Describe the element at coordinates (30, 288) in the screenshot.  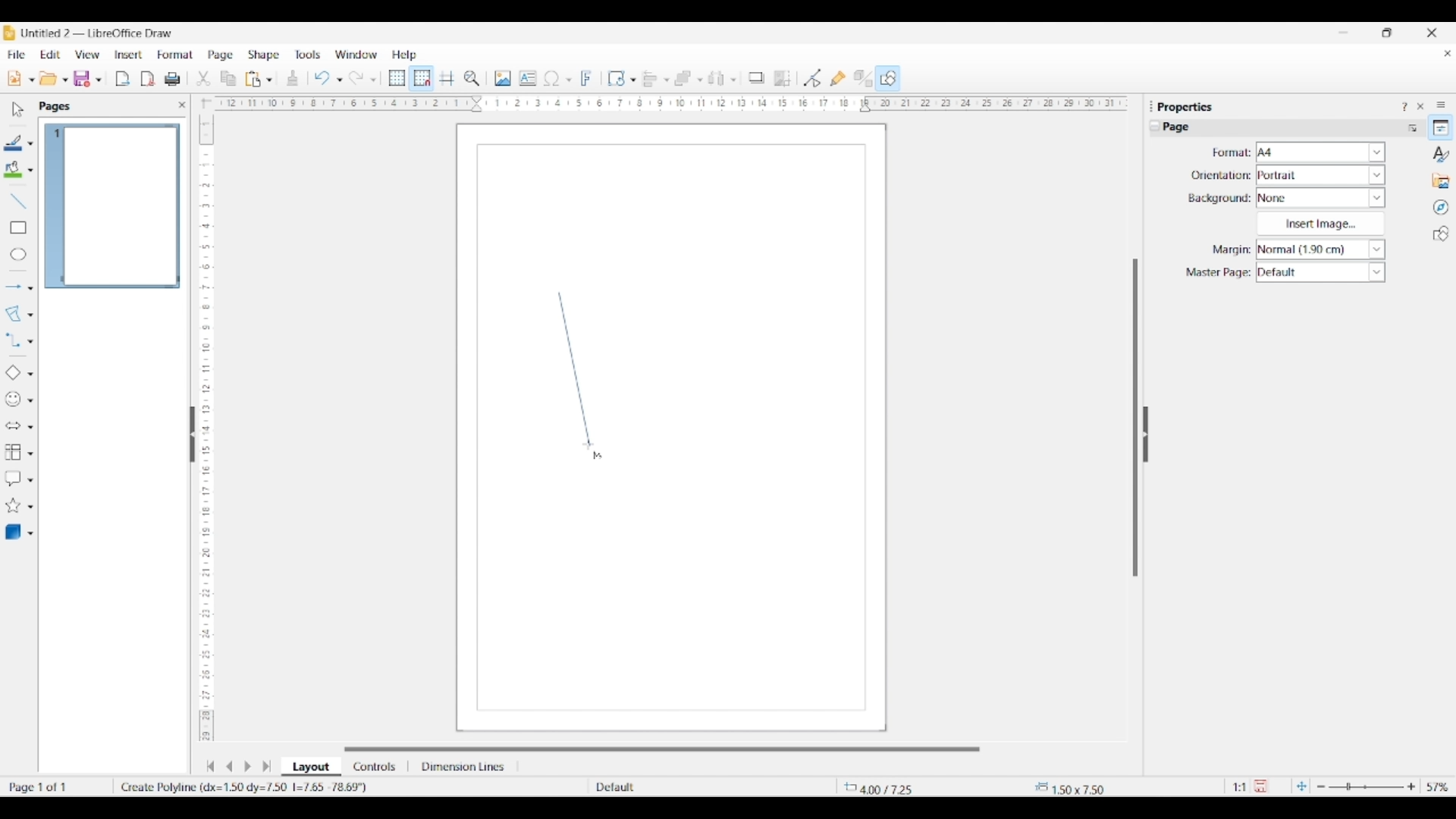
I see `Line and arrow options` at that location.